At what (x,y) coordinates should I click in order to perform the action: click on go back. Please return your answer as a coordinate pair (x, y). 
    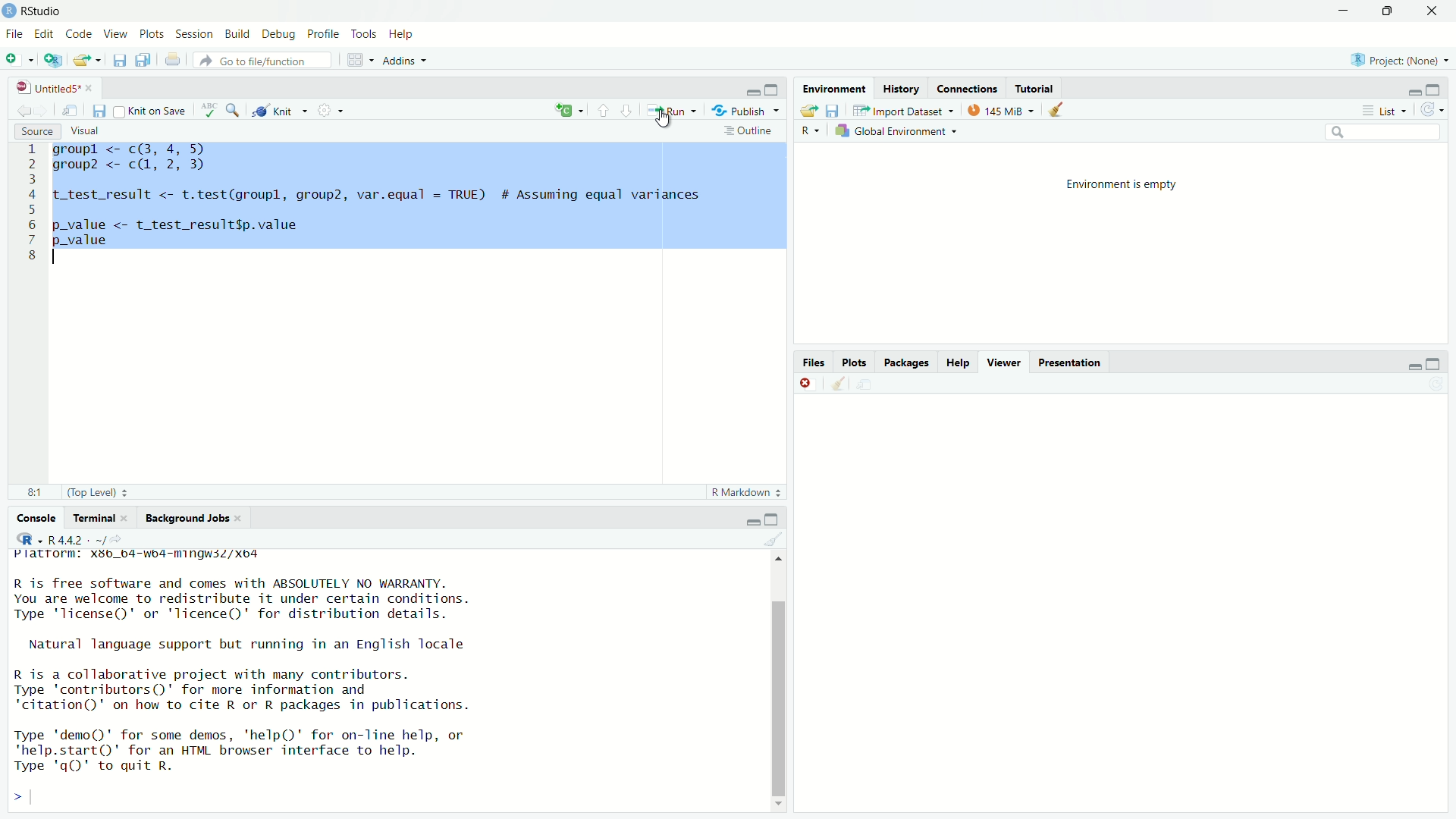
    Looking at the image, I should click on (30, 108).